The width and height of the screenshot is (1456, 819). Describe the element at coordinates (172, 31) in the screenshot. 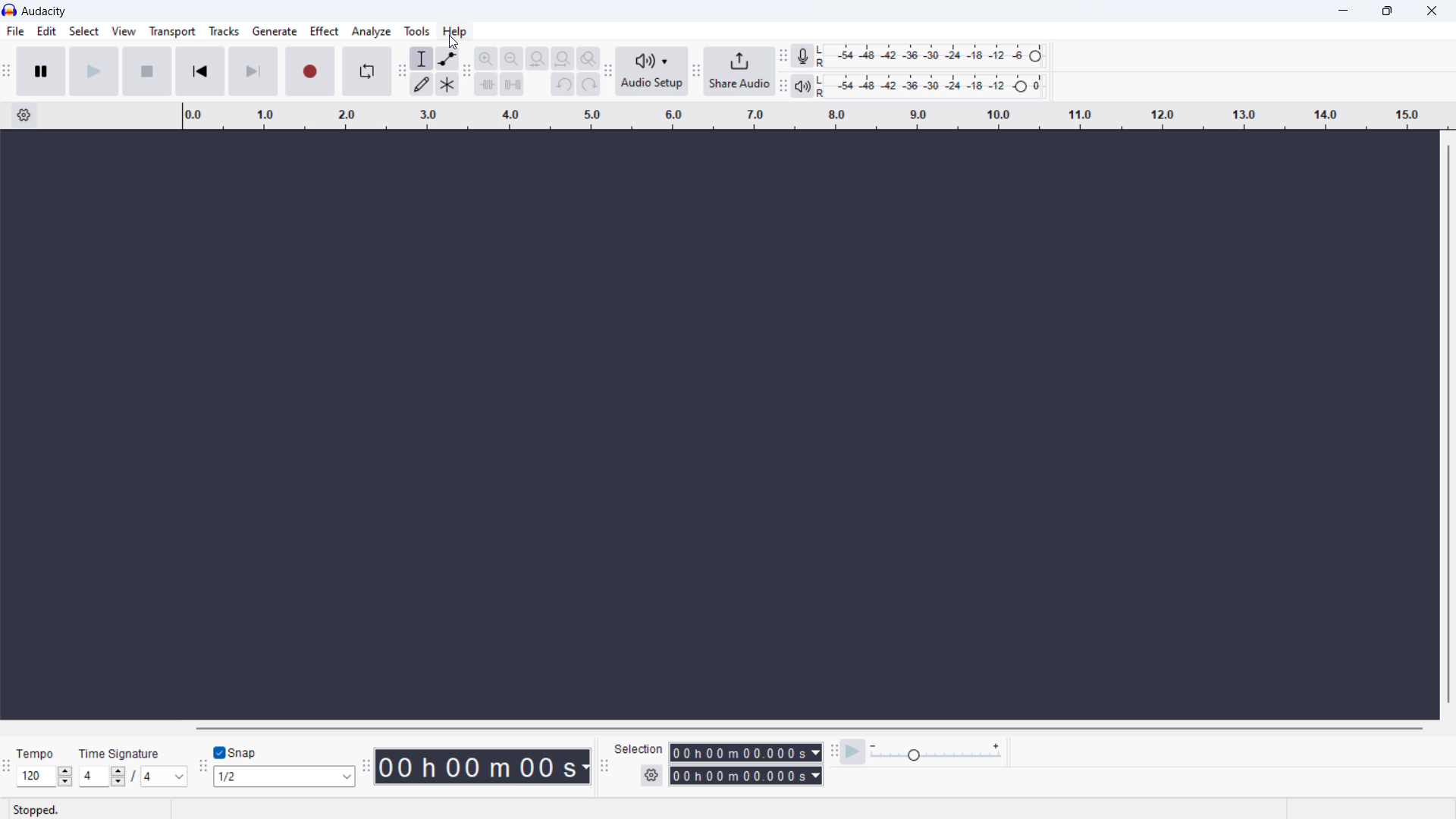

I see `transport` at that location.